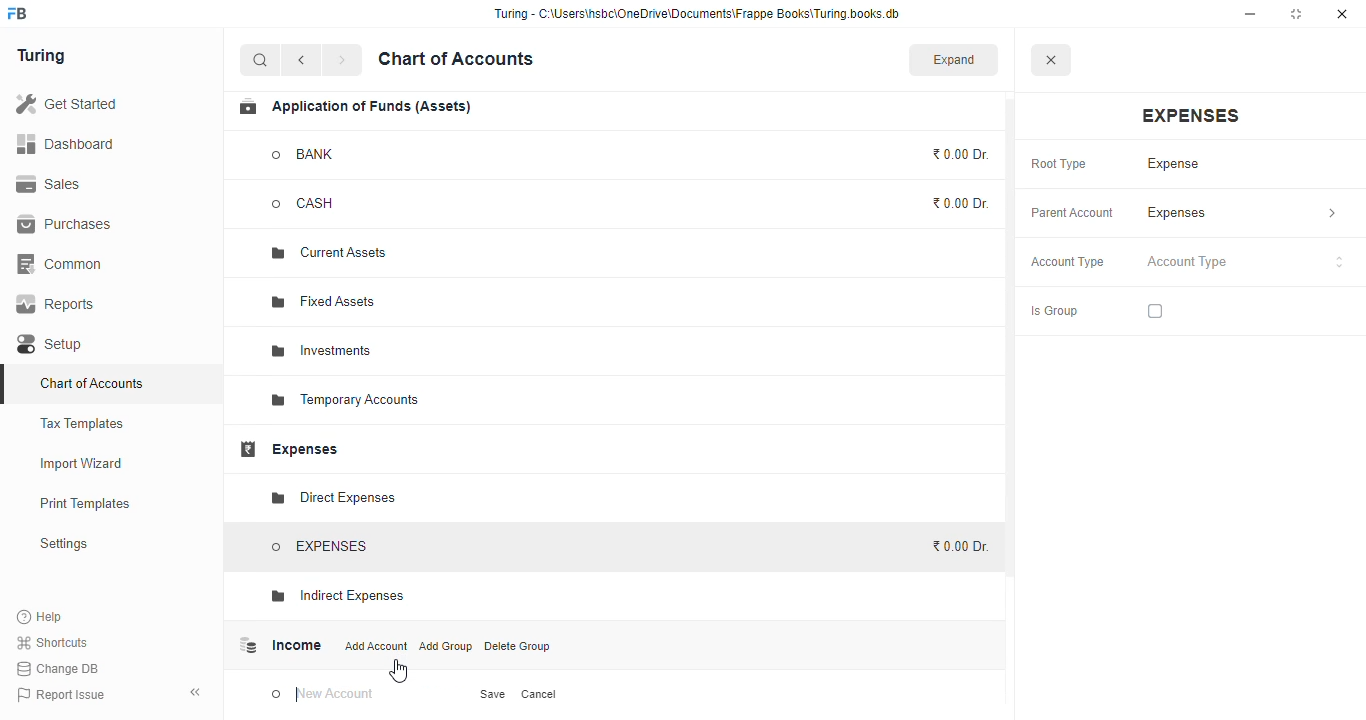 This screenshot has height=720, width=1366. I want to click on expenses, so click(1242, 213).